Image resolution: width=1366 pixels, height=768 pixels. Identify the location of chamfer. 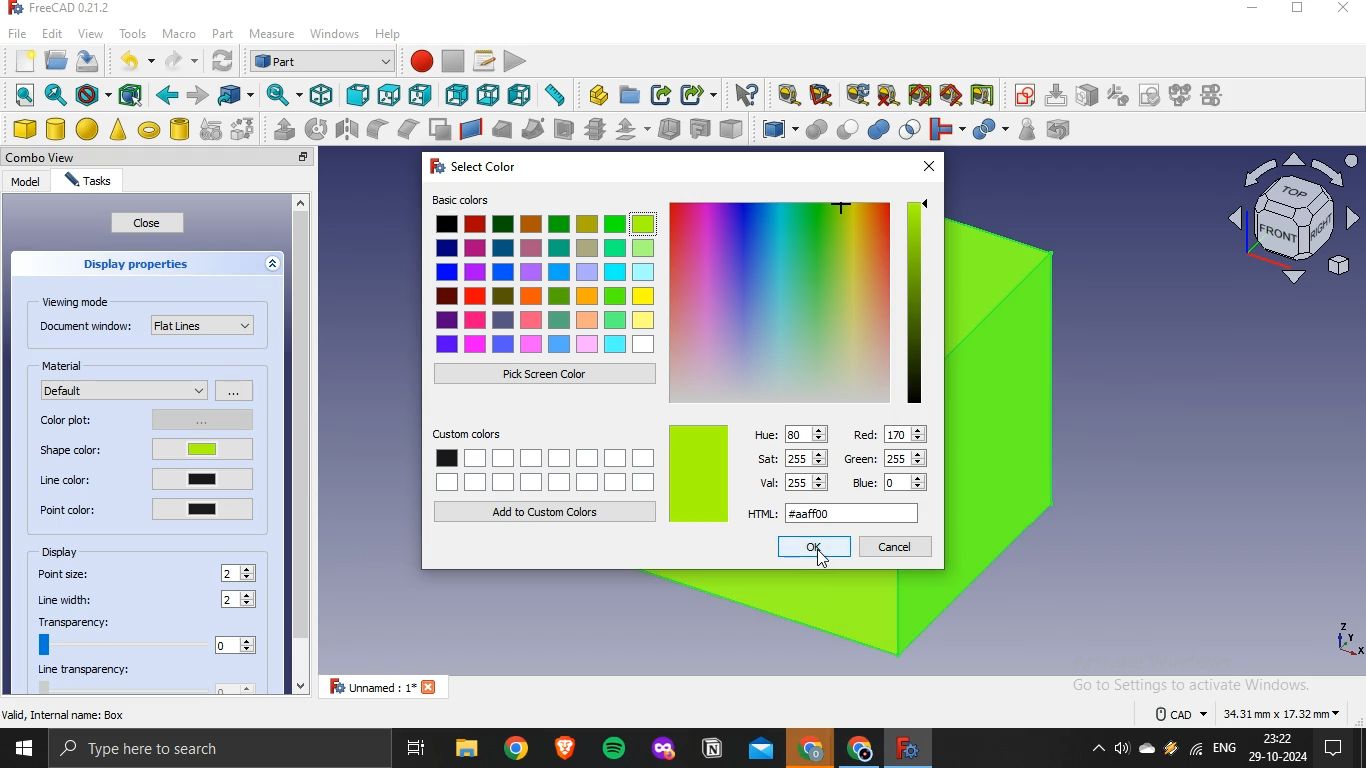
(407, 128).